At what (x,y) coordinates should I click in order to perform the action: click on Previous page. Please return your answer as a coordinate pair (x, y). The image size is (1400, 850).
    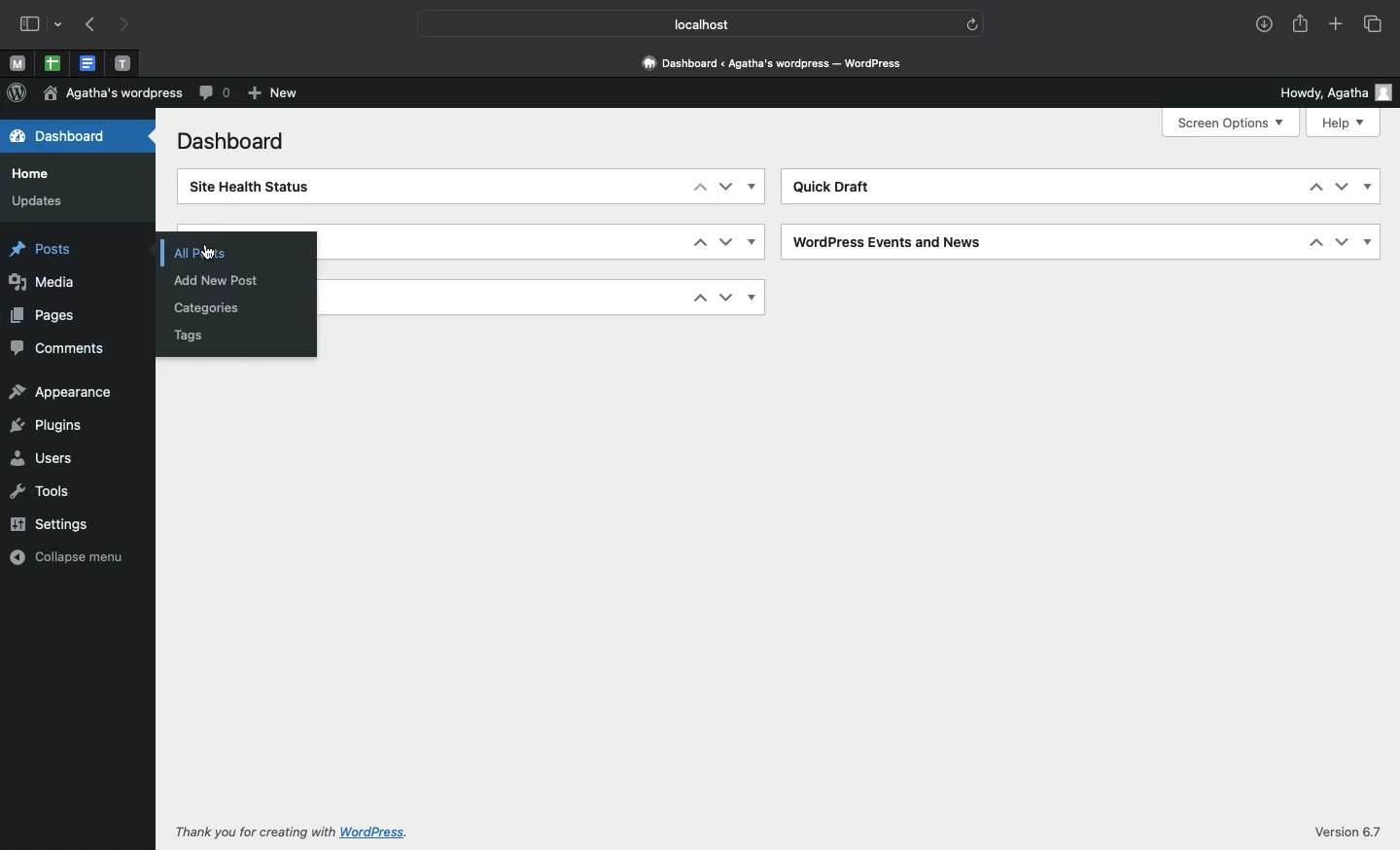
    Looking at the image, I should click on (89, 25).